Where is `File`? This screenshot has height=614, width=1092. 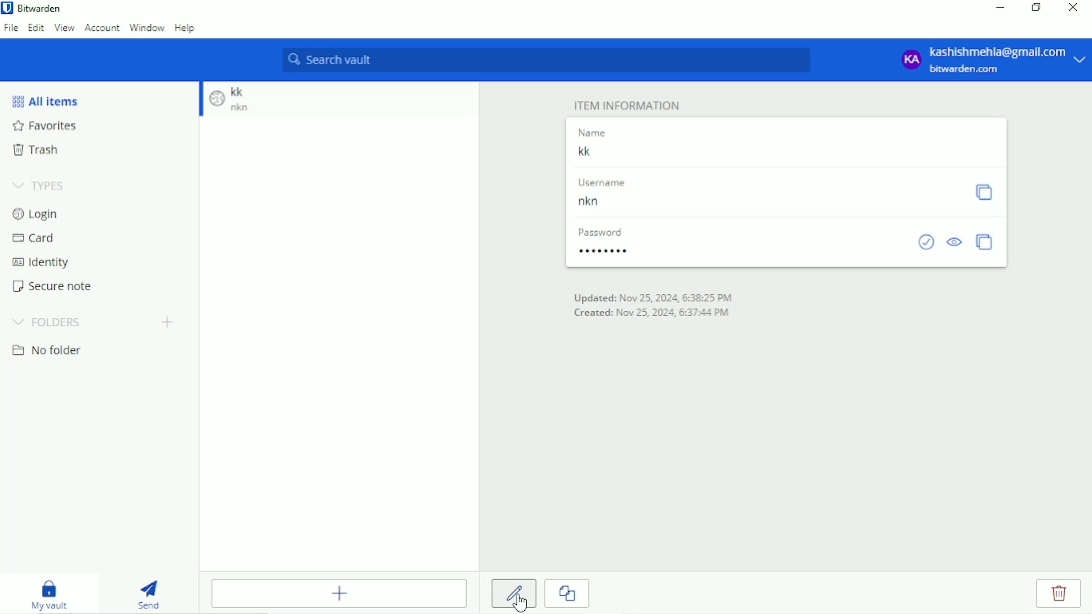
File is located at coordinates (12, 28).